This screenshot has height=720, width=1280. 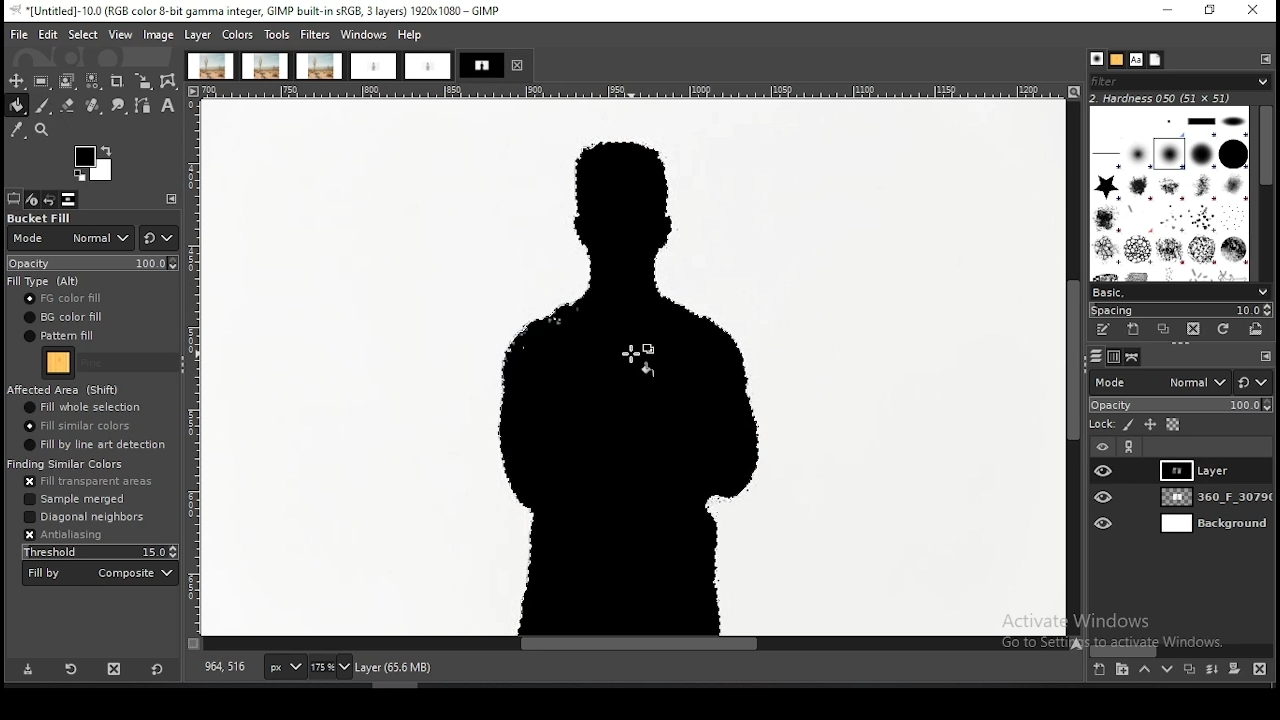 What do you see at coordinates (1180, 82) in the screenshot?
I see `filter brushes` at bounding box center [1180, 82].